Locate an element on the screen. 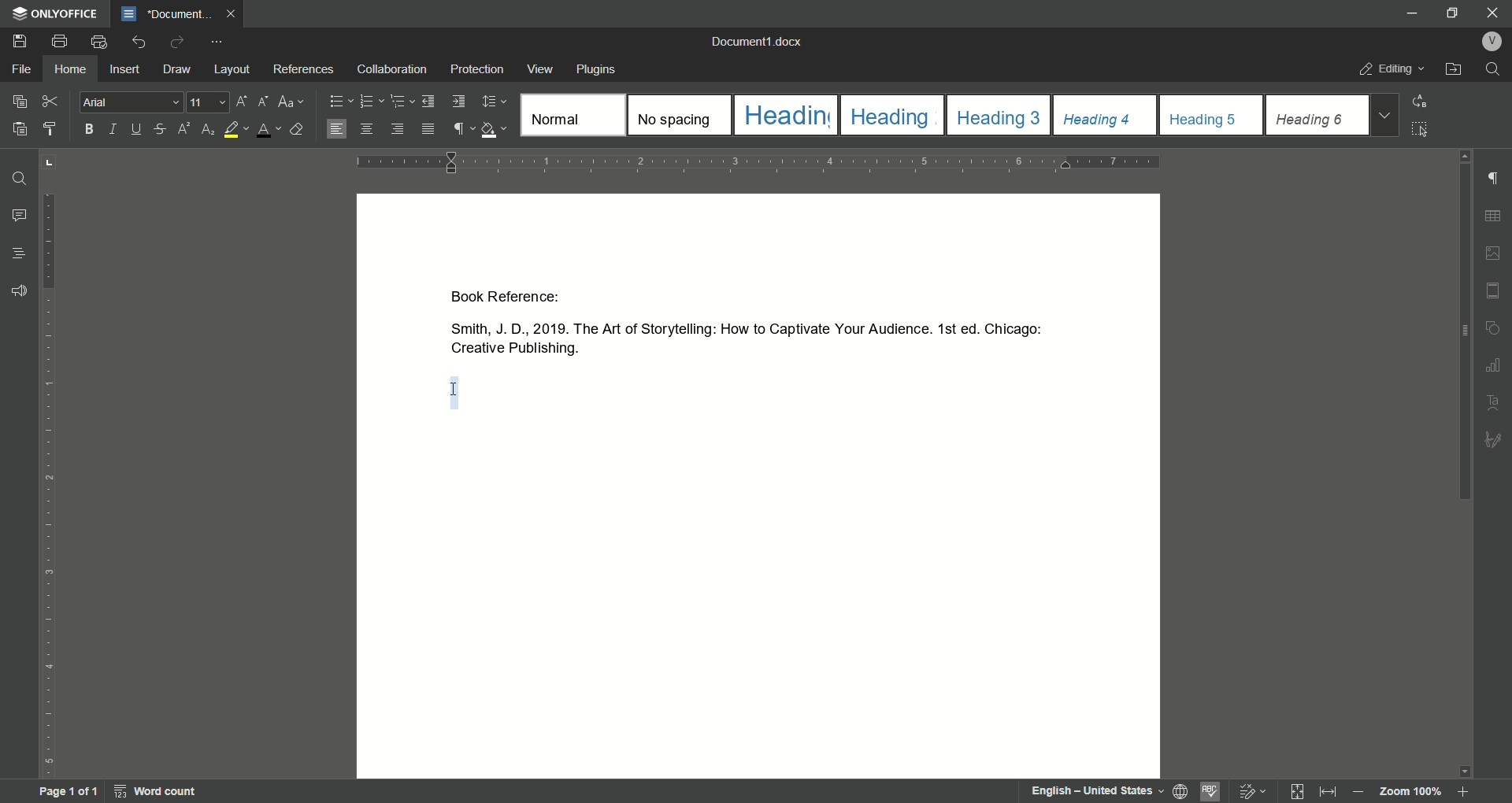   is located at coordinates (1494, 440).